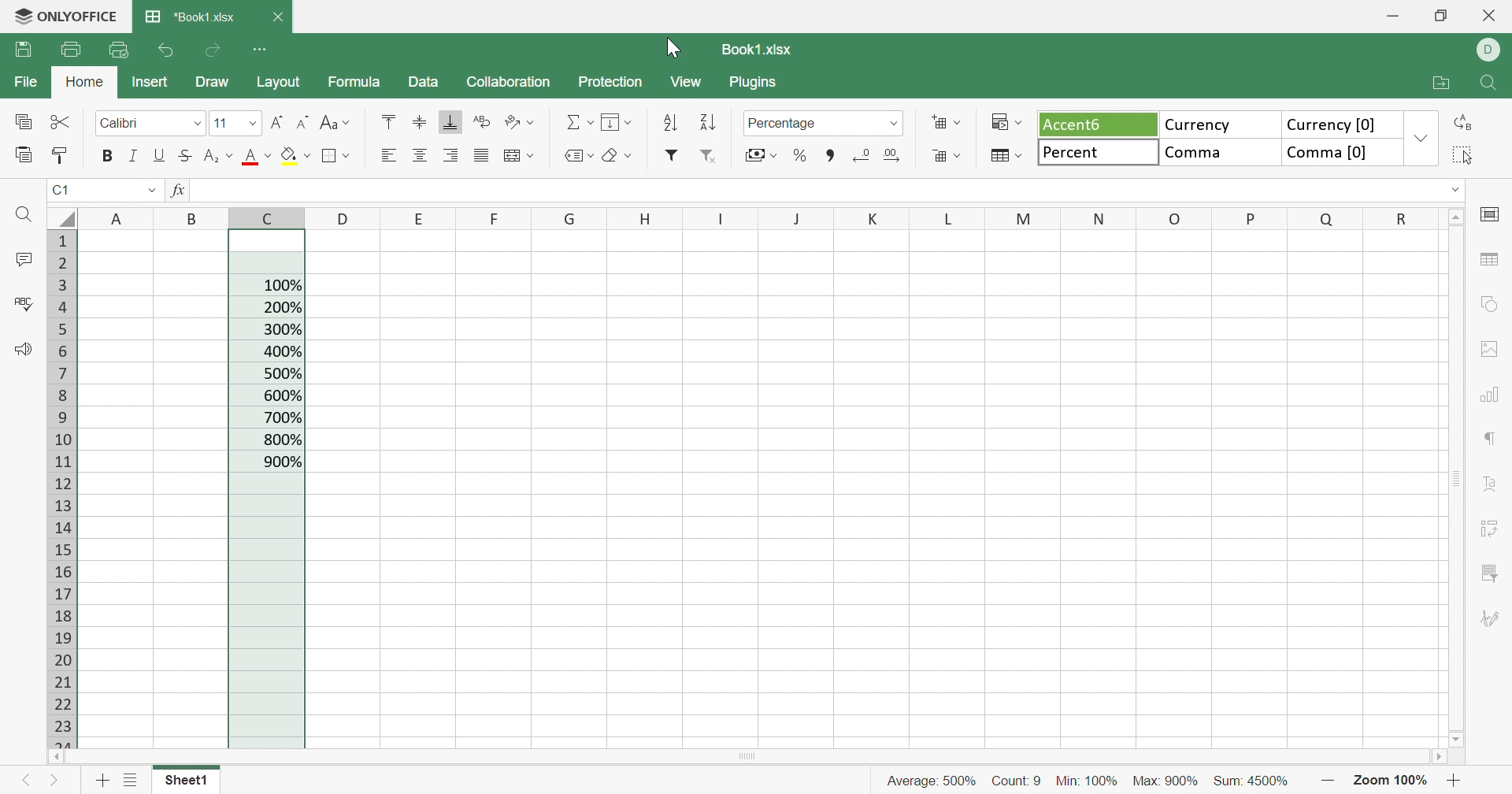  What do you see at coordinates (102, 780) in the screenshot?
I see `Add sheet` at bounding box center [102, 780].